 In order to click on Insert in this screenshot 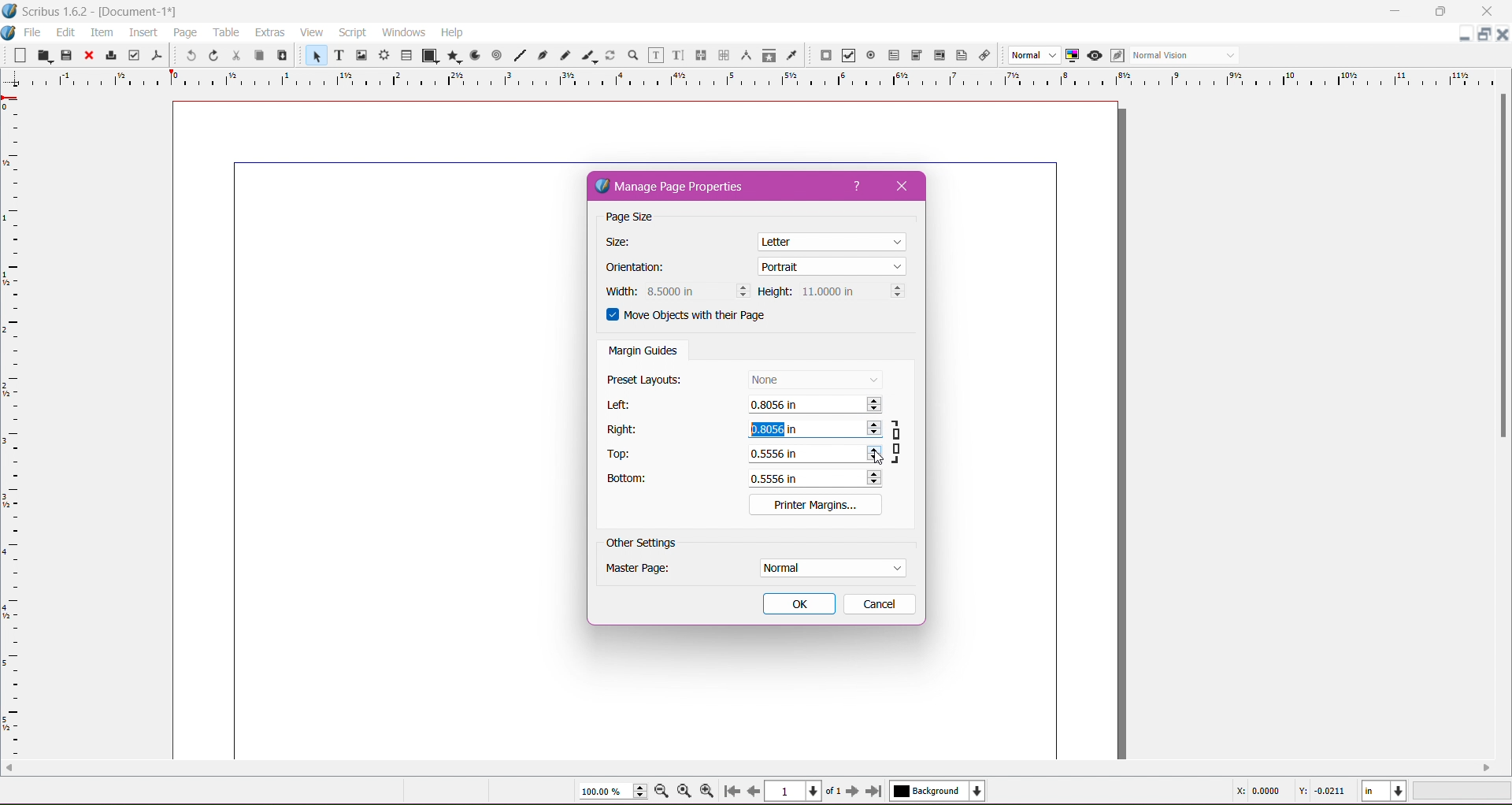, I will do `click(143, 33)`.